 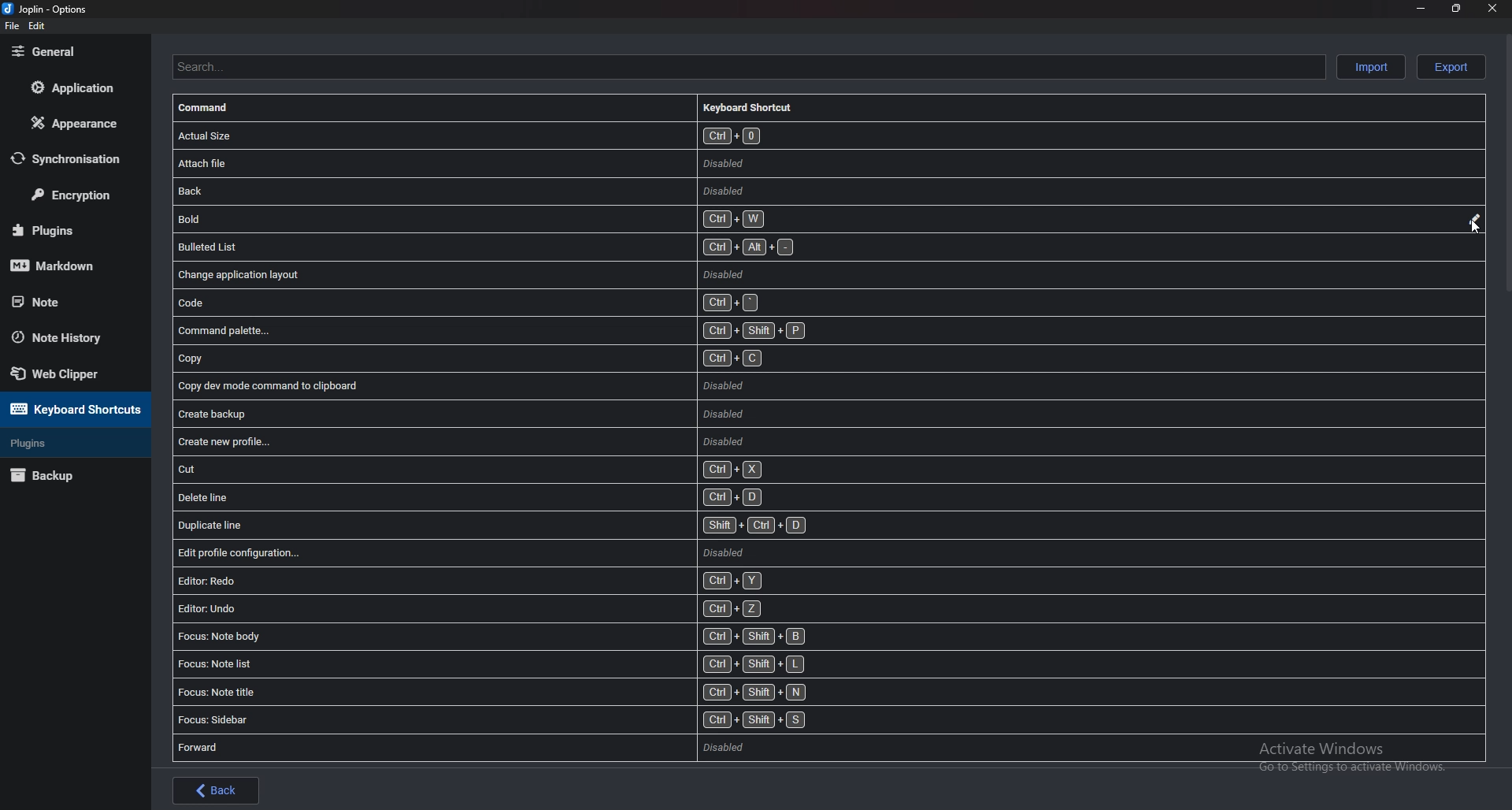 What do you see at coordinates (65, 302) in the screenshot?
I see `note` at bounding box center [65, 302].